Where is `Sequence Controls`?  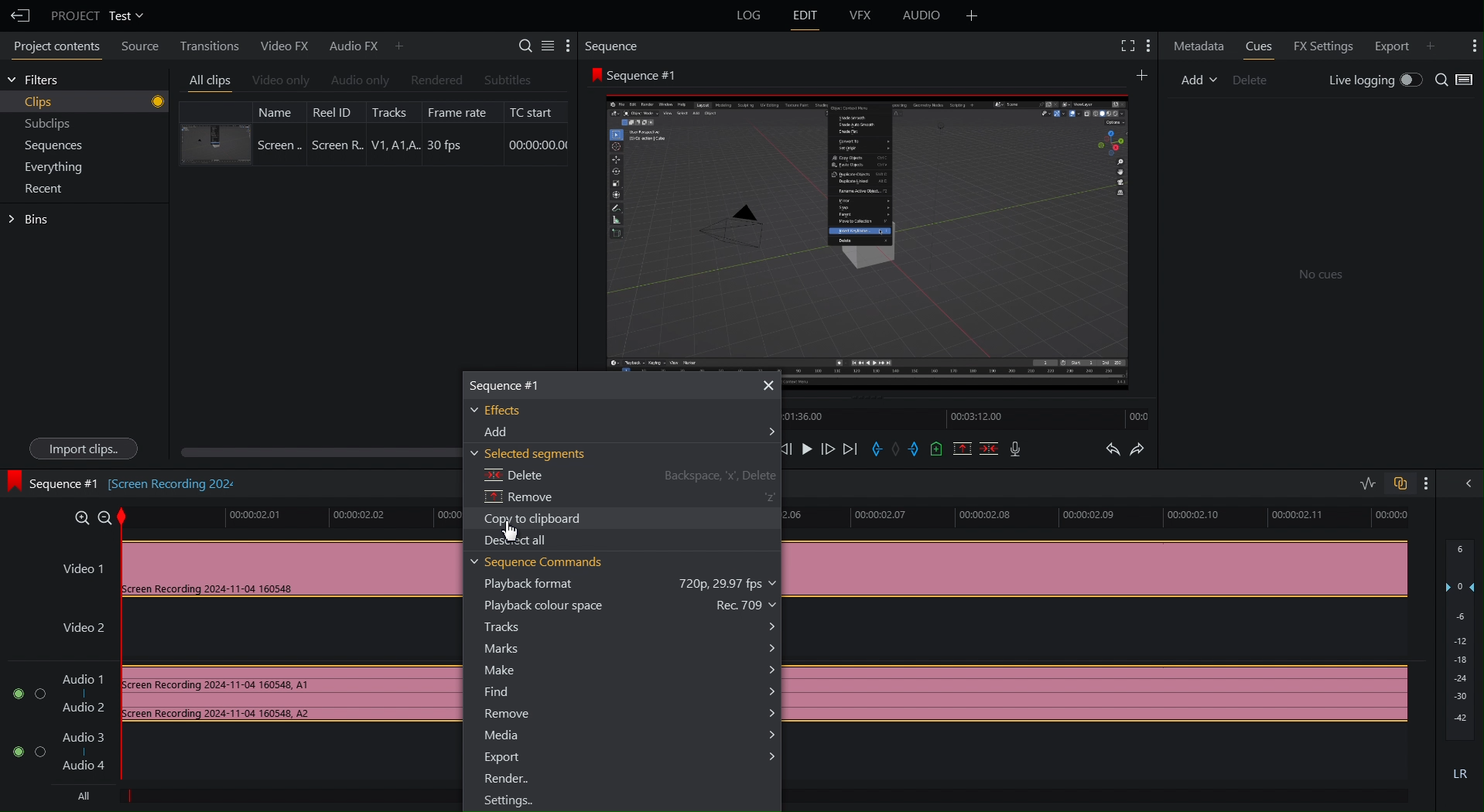
Sequence Controls is located at coordinates (907, 450).